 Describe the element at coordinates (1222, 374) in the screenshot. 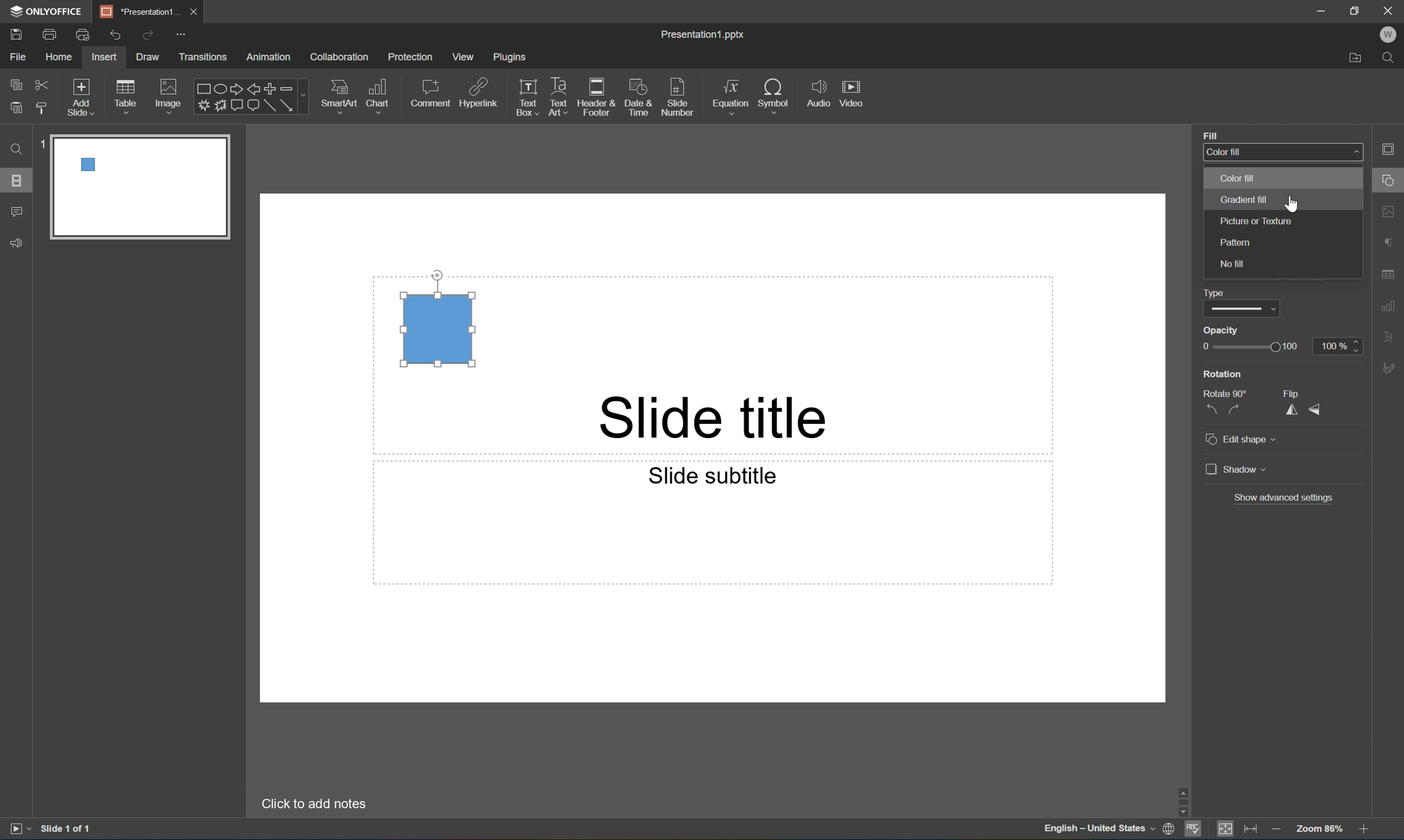

I see `Rotation` at that location.